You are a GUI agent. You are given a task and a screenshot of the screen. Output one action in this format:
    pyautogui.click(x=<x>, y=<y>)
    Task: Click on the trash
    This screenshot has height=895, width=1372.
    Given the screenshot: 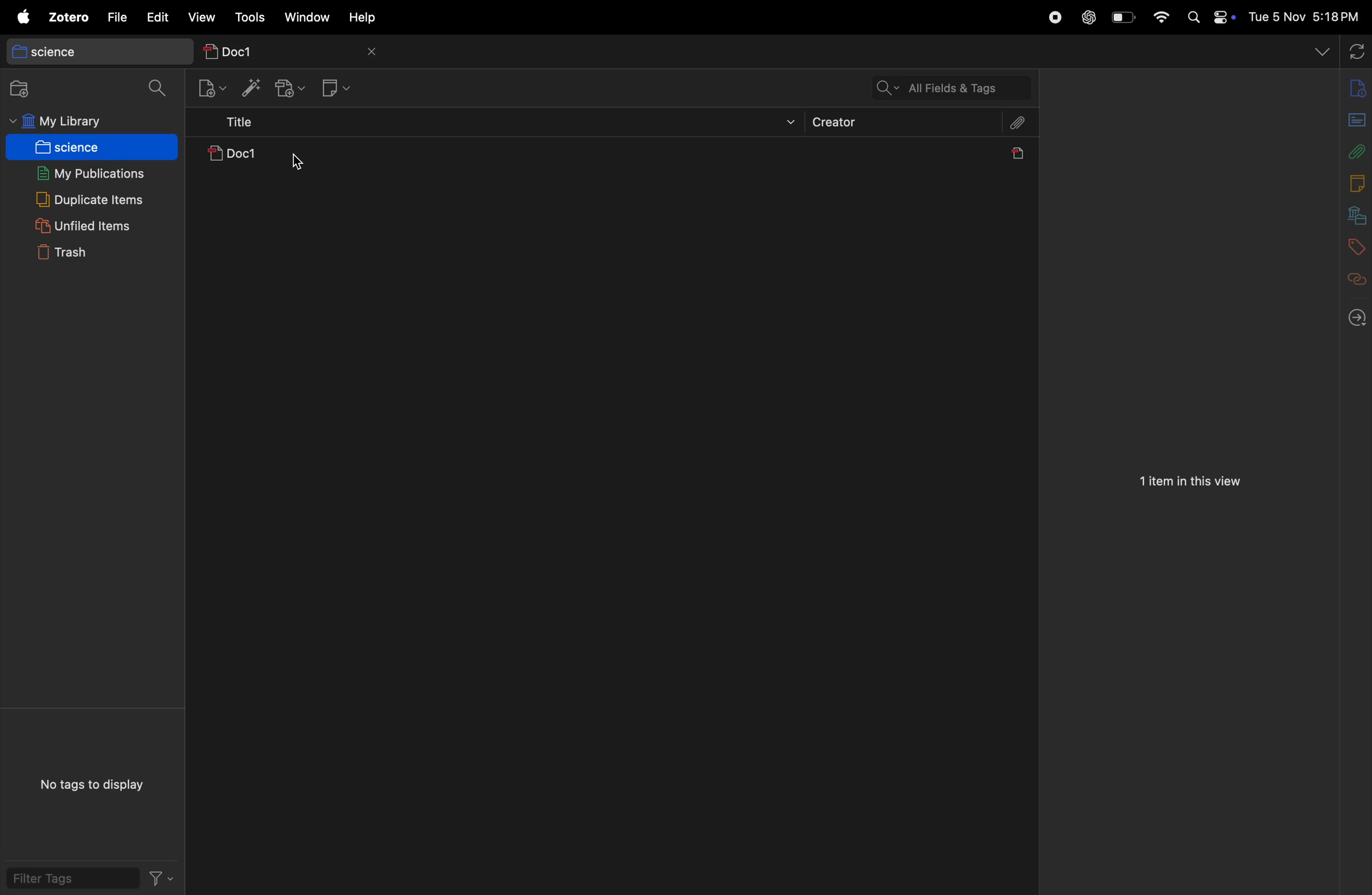 What is the action you would take?
    pyautogui.click(x=91, y=253)
    